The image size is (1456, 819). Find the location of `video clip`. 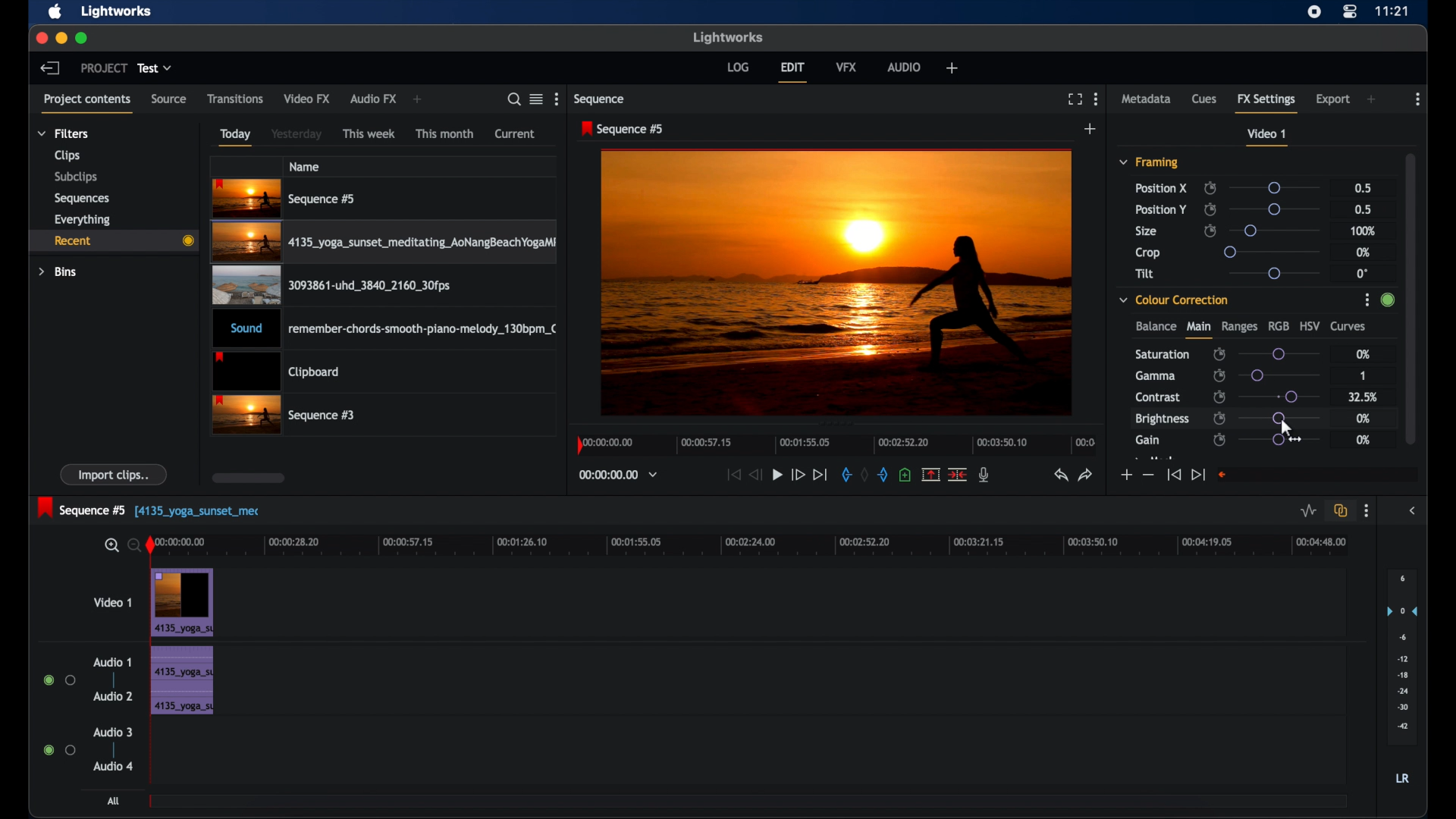

video clip is located at coordinates (184, 603).